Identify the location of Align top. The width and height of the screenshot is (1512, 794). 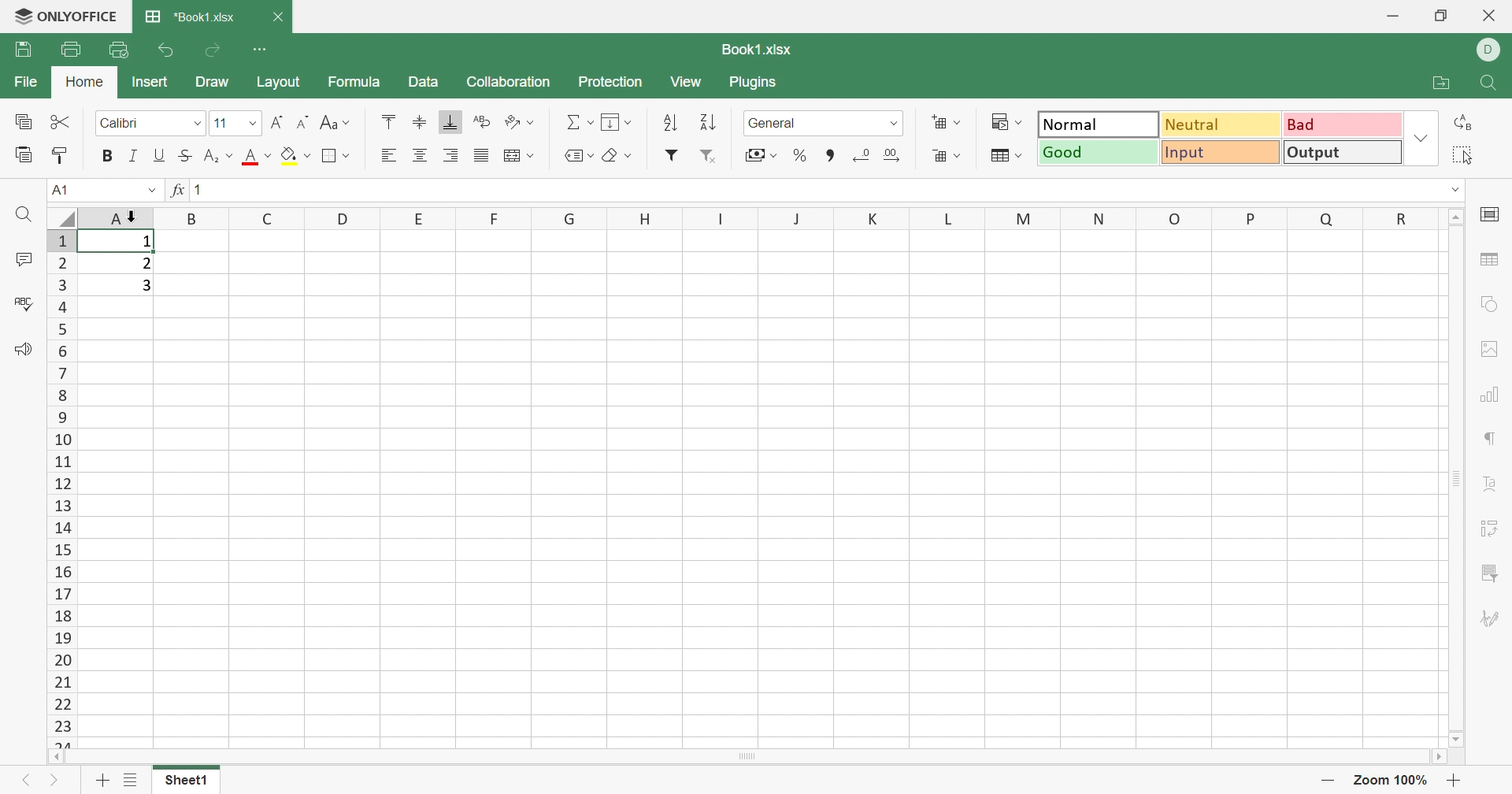
(388, 120).